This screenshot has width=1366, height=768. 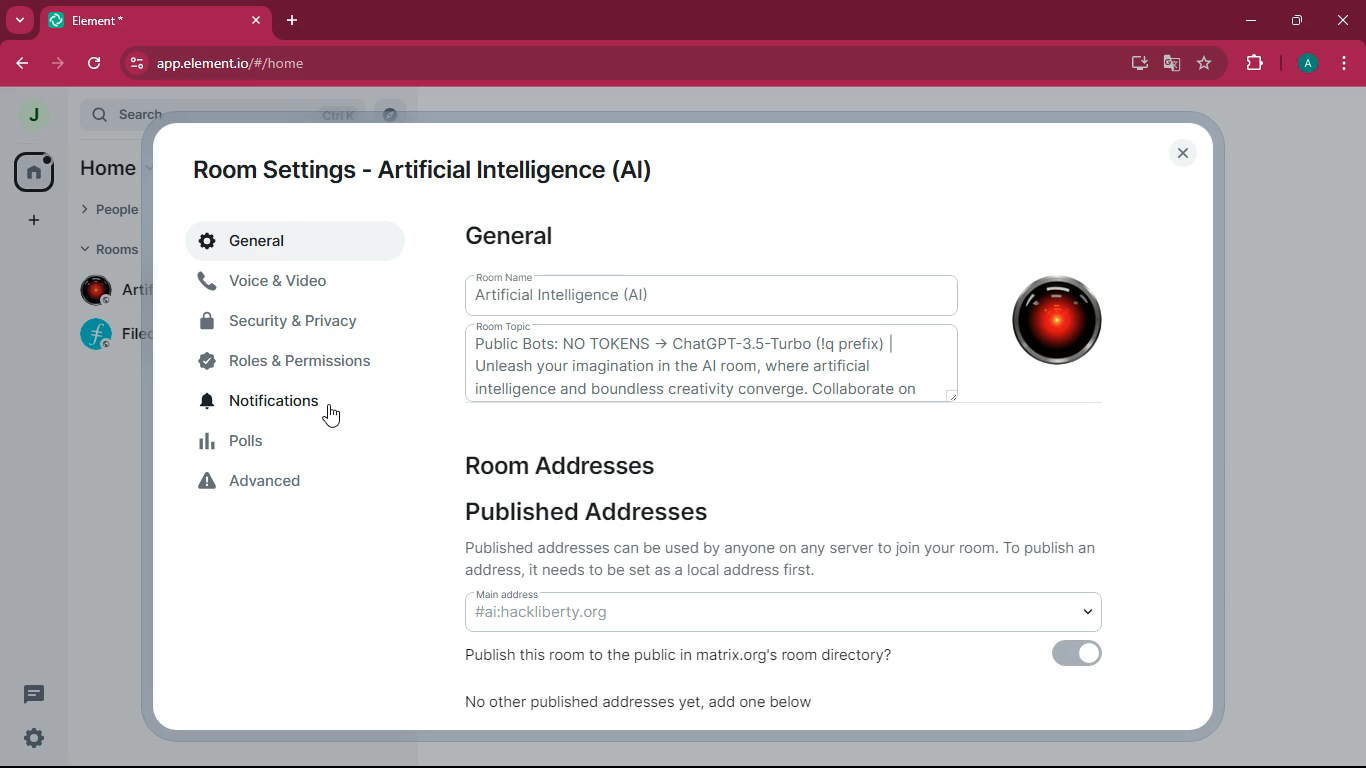 I want to click on forward, so click(x=59, y=63).